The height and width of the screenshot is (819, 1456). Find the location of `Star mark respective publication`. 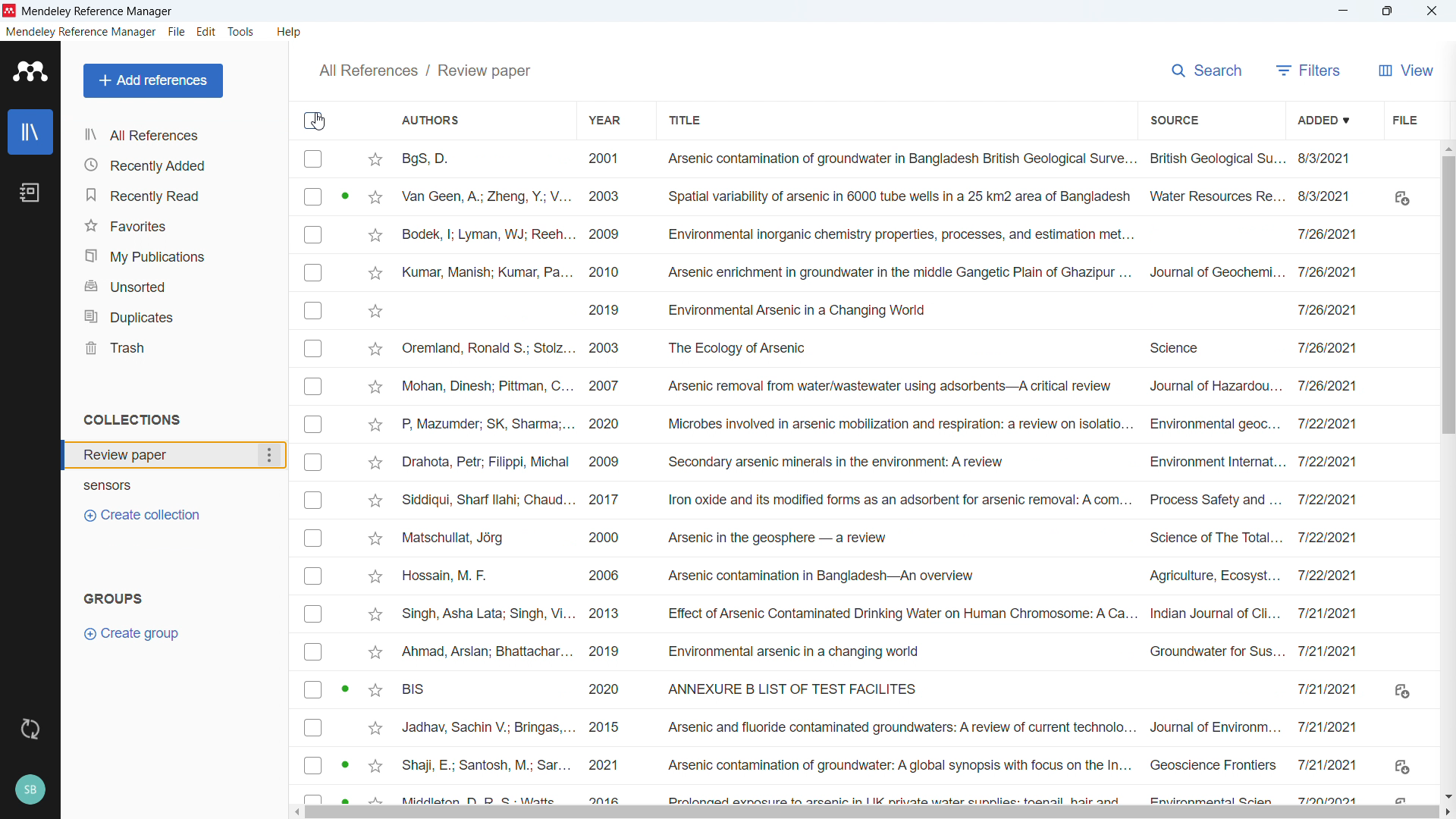

Star mark respective publication is located at coordinates (375, 463).